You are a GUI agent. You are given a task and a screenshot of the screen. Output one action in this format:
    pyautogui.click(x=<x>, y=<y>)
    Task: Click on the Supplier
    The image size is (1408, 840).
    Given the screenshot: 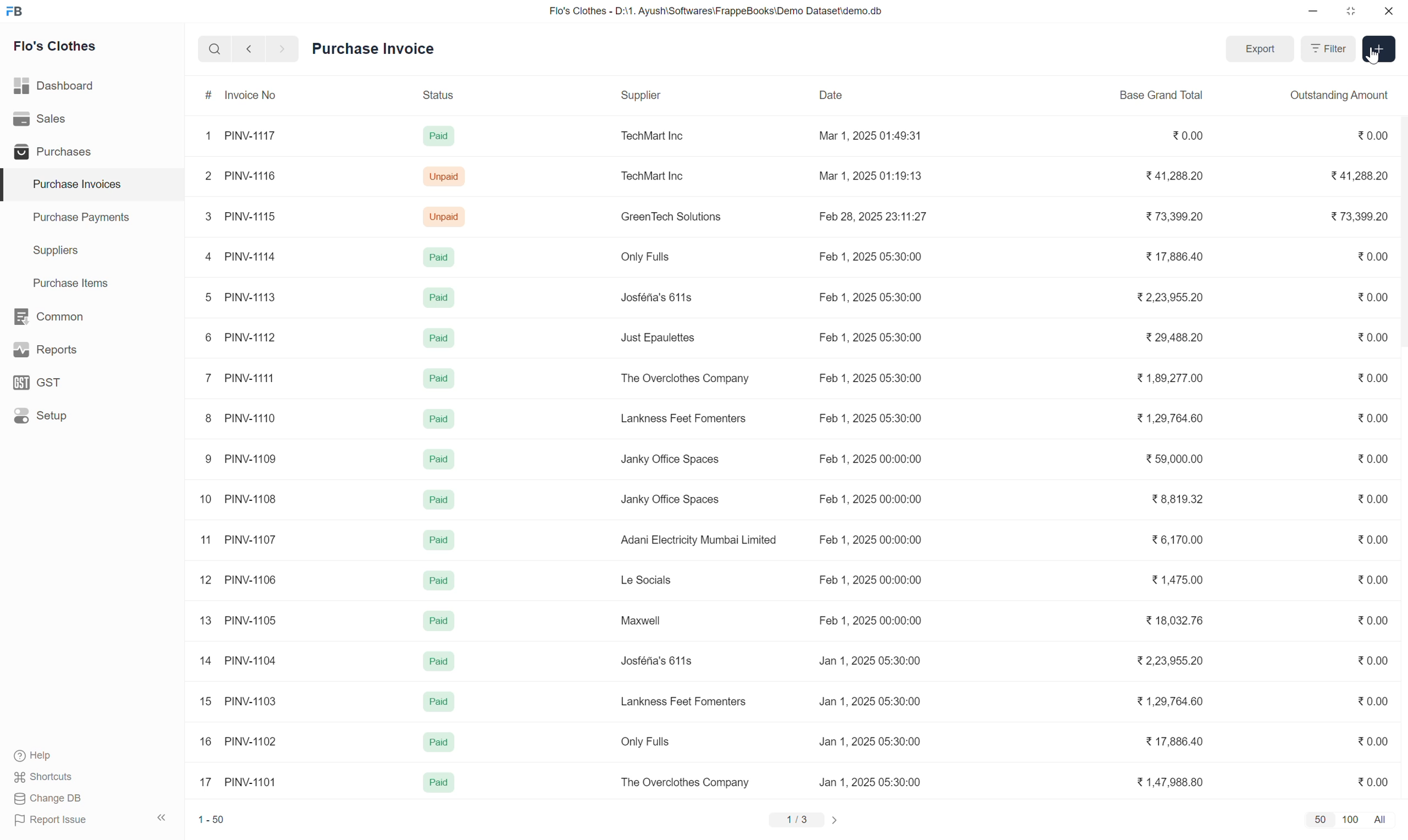 What is the action you would take?
    pyautogui.click(x=670, y=96)
    